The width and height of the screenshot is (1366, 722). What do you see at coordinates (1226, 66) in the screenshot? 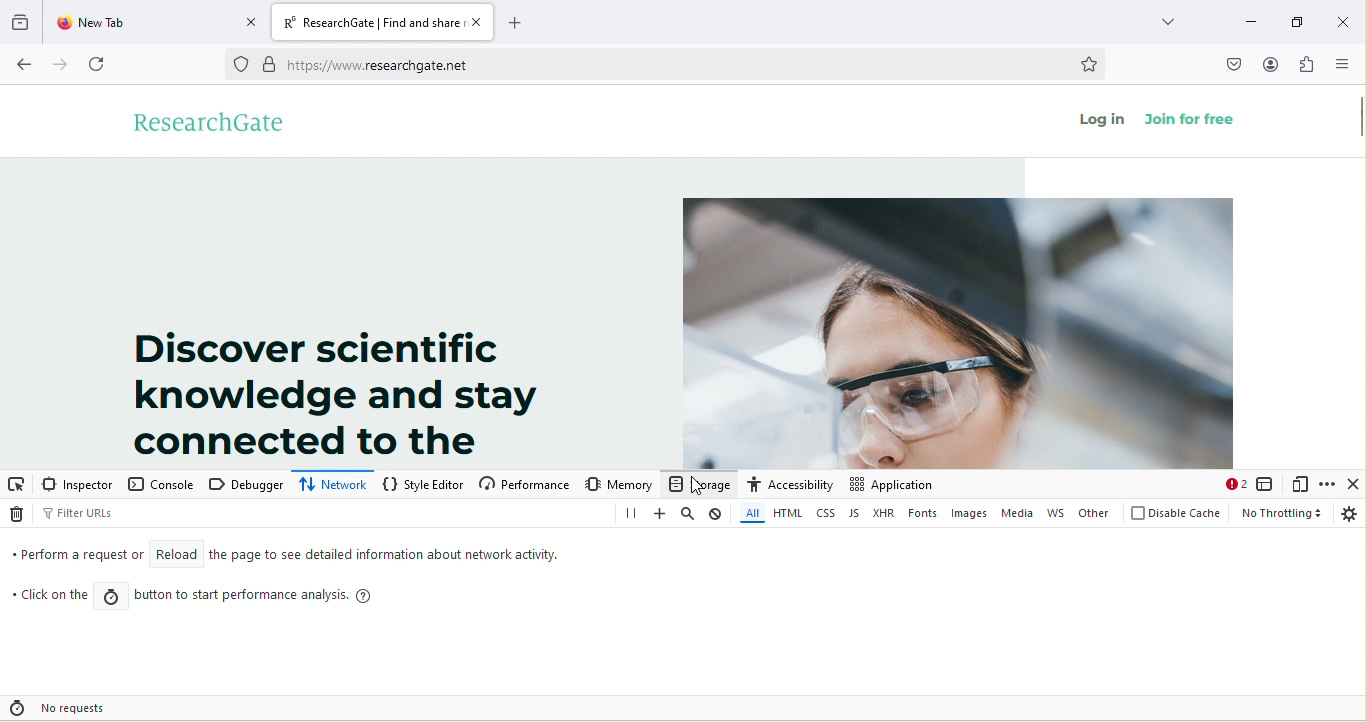
I see `save to pocket` at bounding box center [1226, 66].